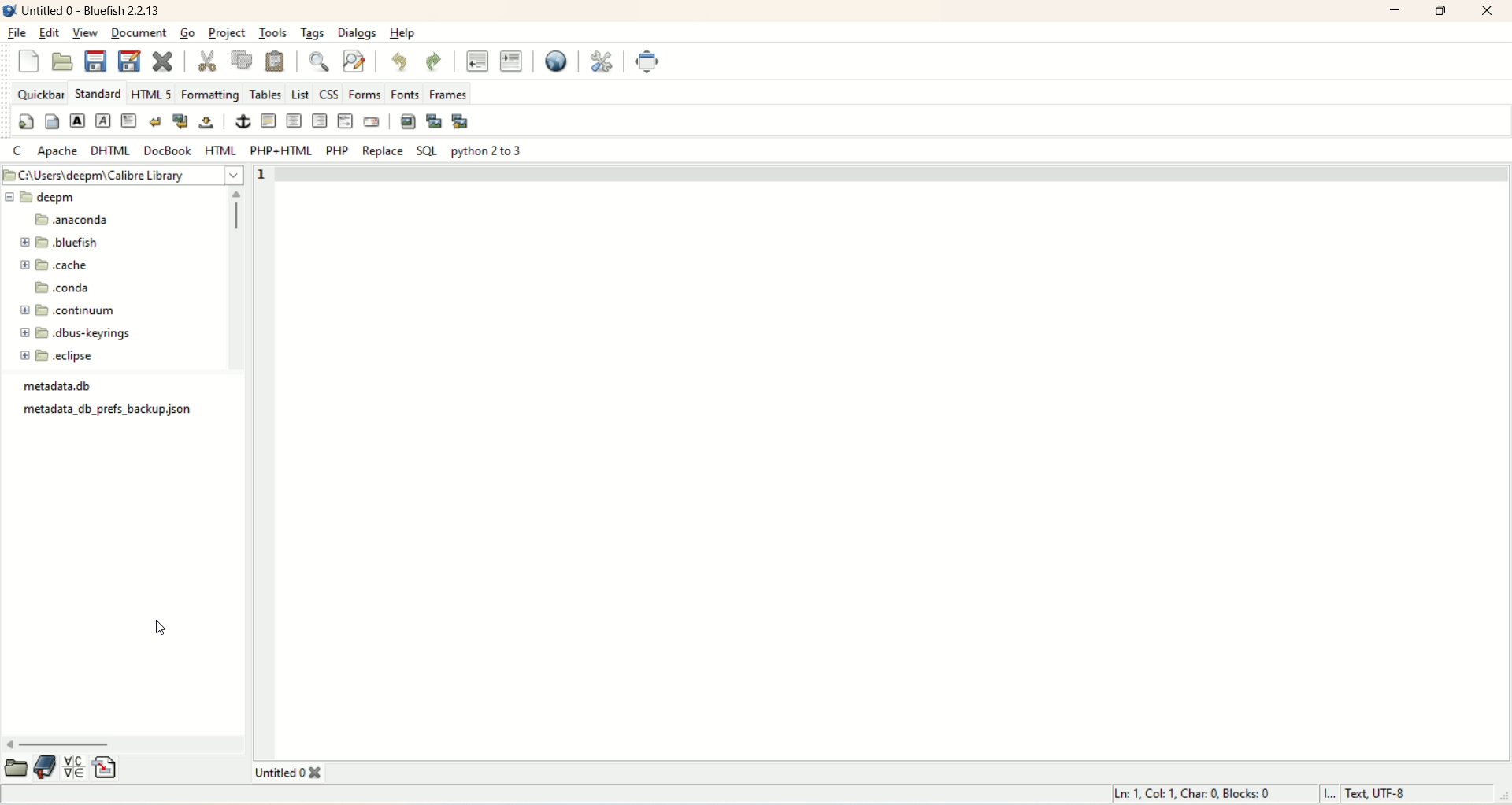 This screenshot has width=1512, height=805. What do you see at coordinates (295, 121) in the screenshot?
I see `center` at bounding box center [295, 121].